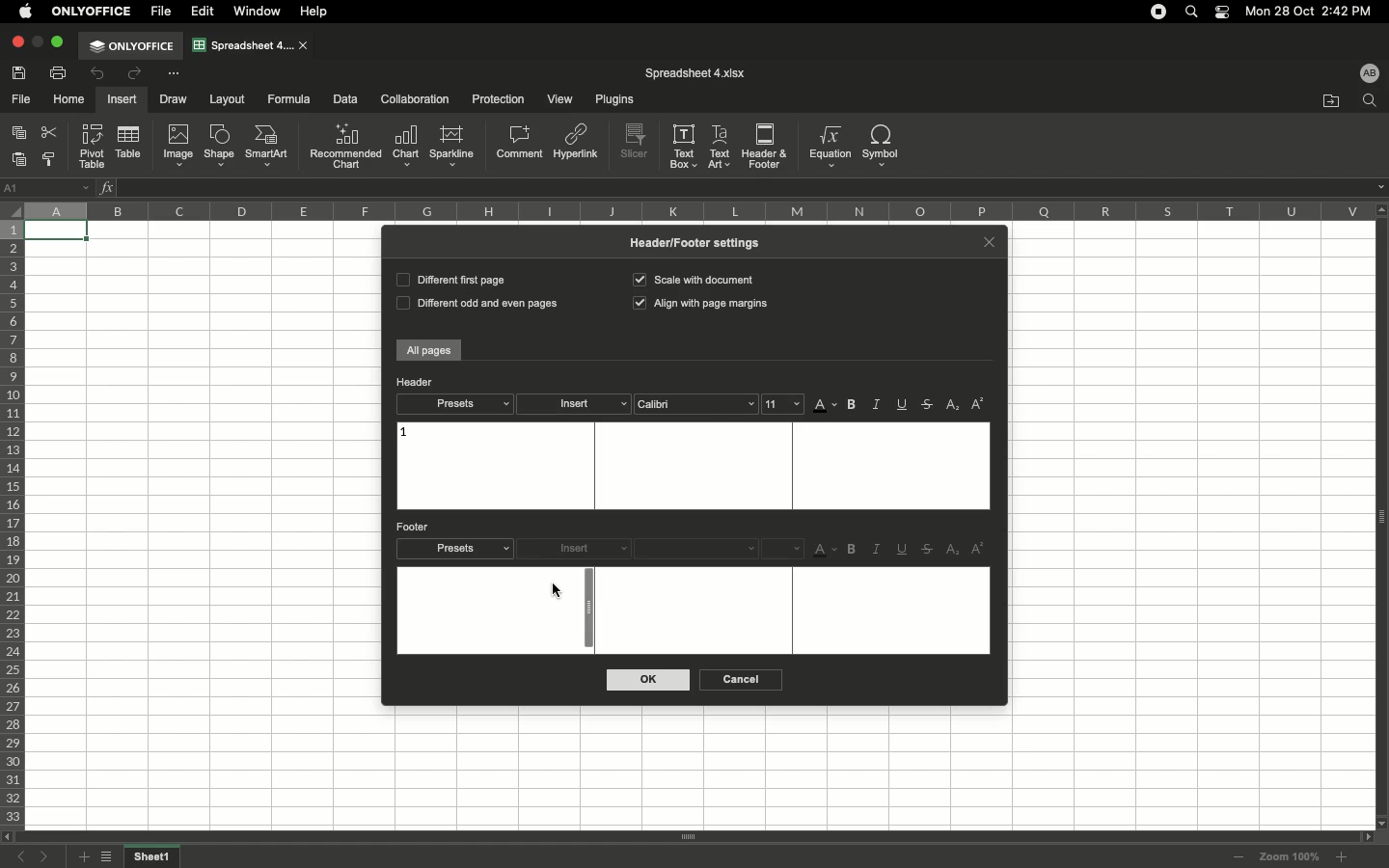 This screenshot has height=868, width=1389. Describe the element at coordinates (1239, 858) in the screenshot. I see `Zoom out` at that location.